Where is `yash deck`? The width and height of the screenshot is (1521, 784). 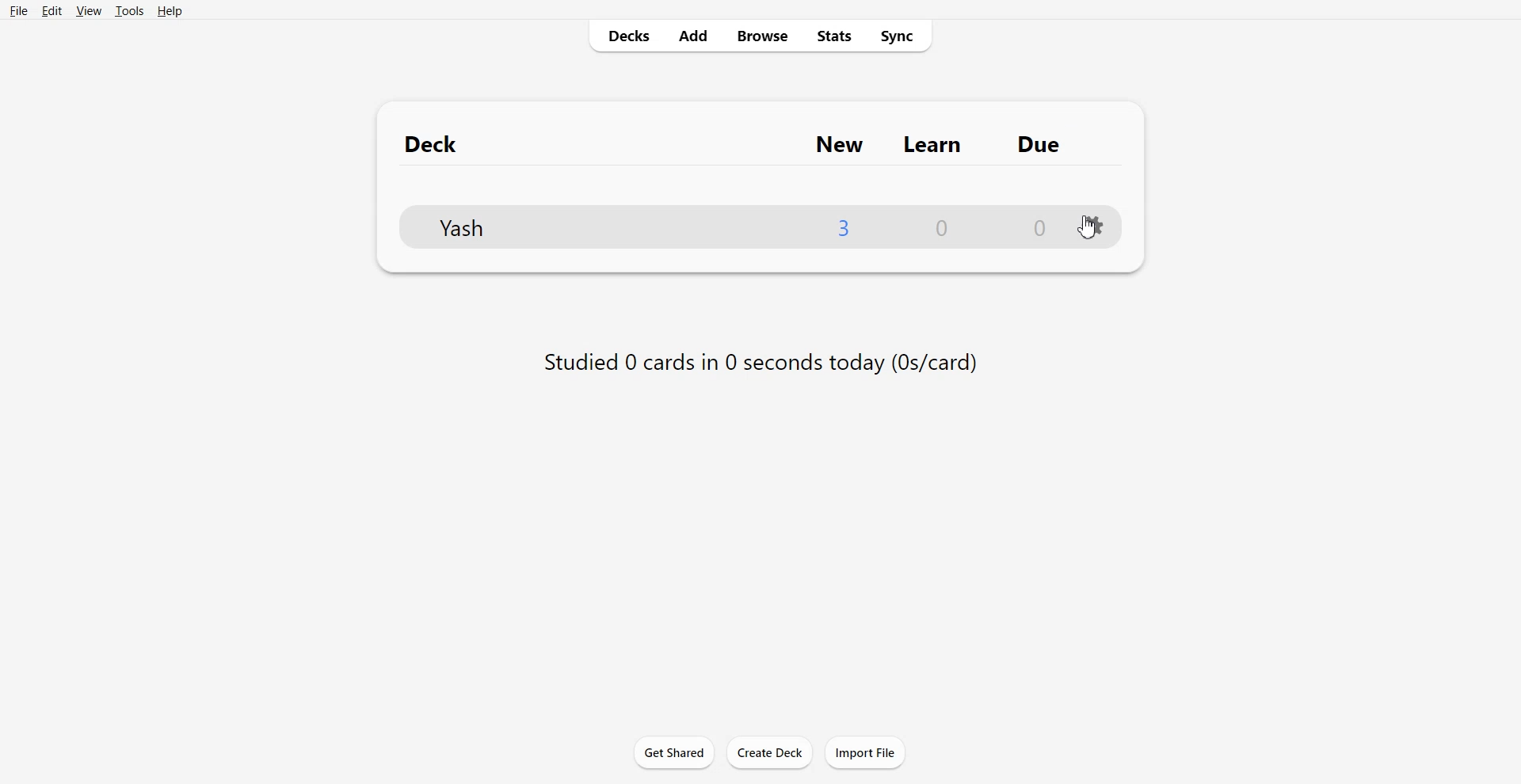
yash deck is located at coordinates (597, 226).